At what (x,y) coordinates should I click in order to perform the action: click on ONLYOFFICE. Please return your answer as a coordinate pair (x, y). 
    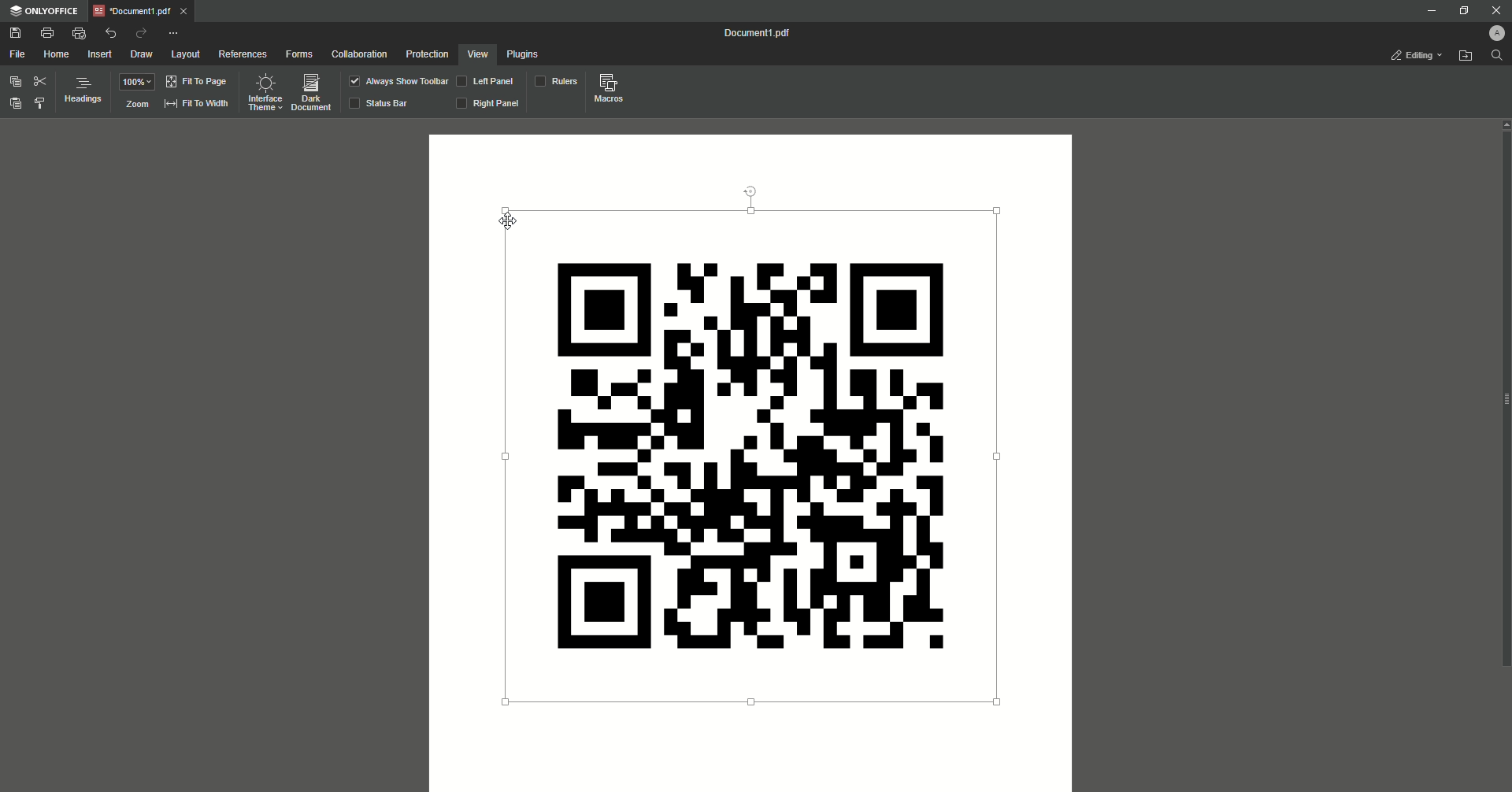
    Looking at the image, I should click on (44, 11).